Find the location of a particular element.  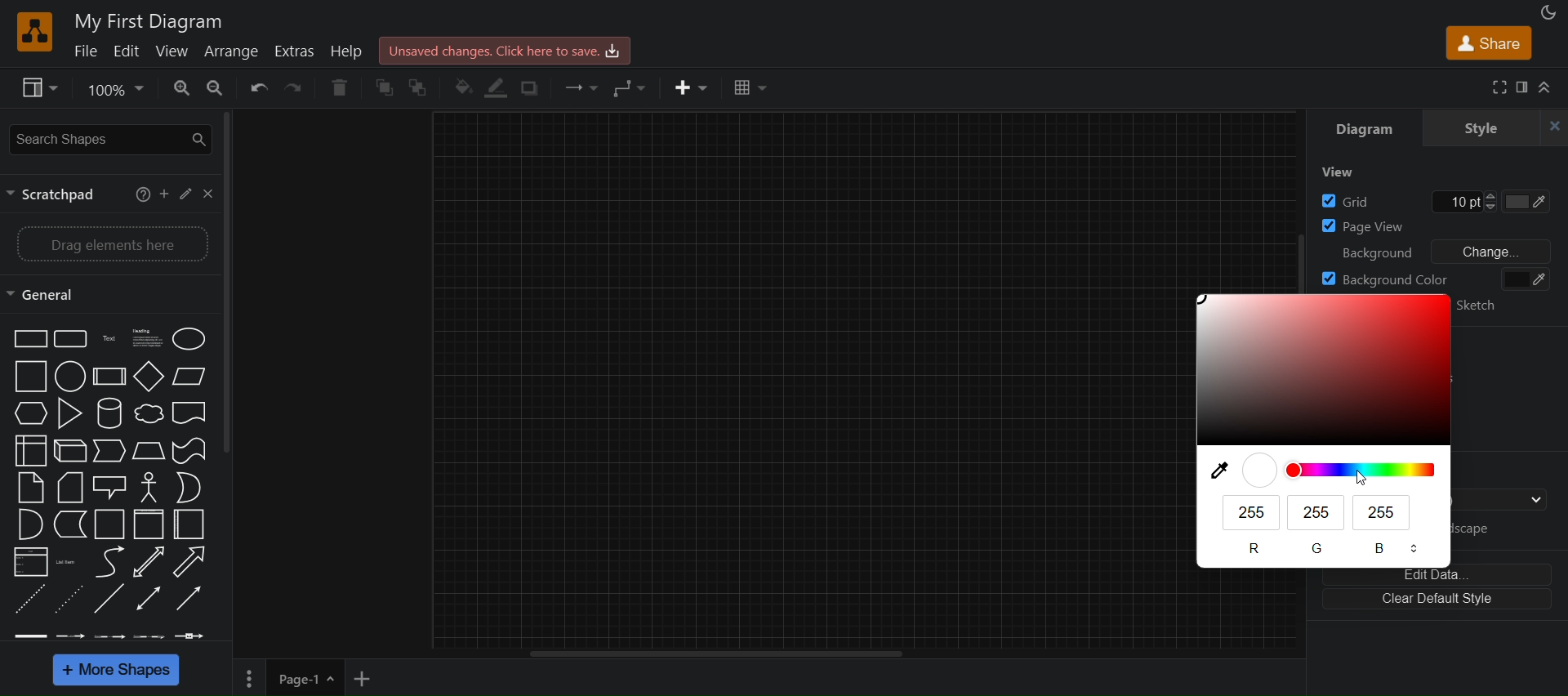

seearch shapes is located at coordinates (107, 138).